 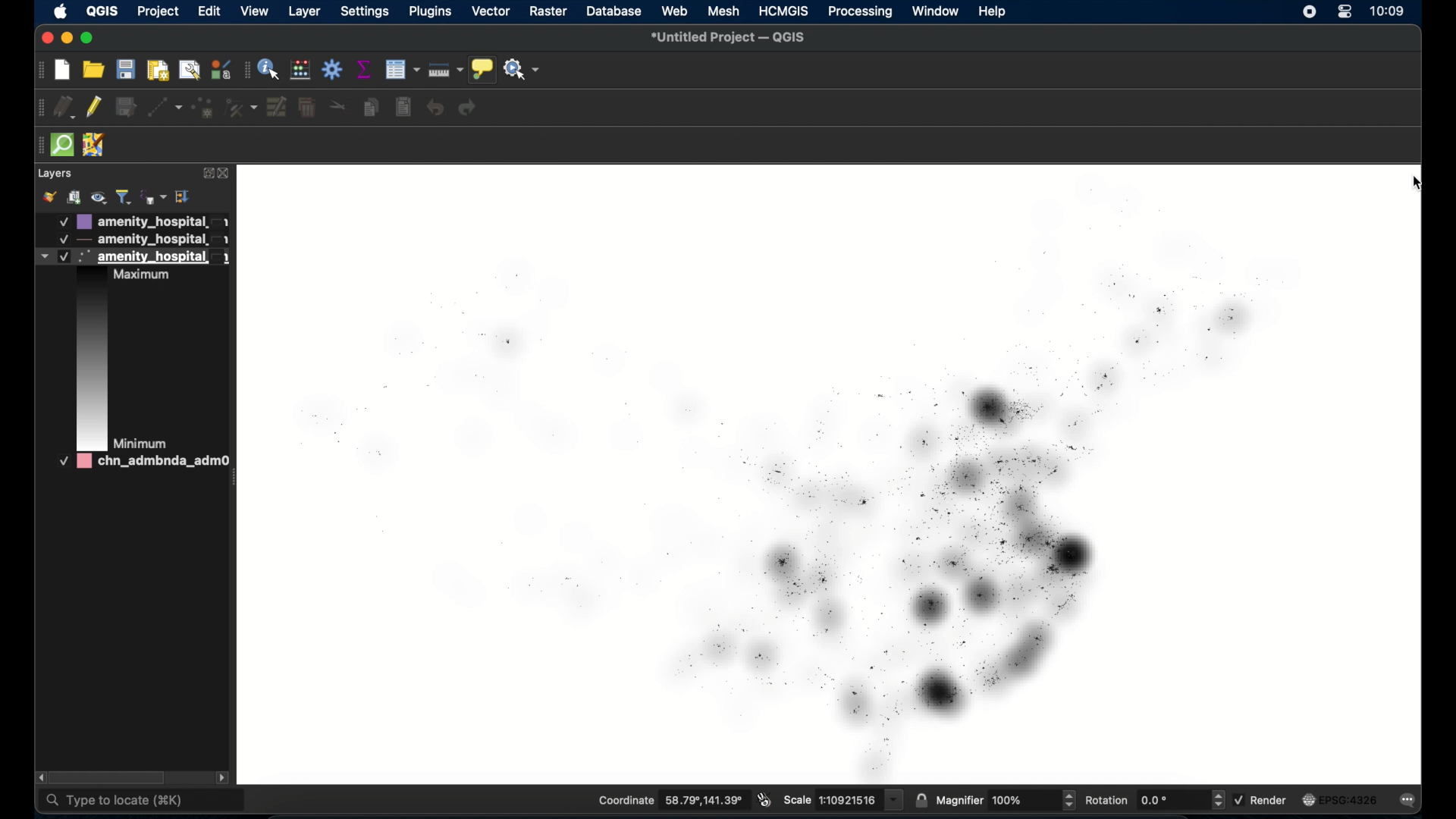 I want to click on settings, so click(x=366, y=12).